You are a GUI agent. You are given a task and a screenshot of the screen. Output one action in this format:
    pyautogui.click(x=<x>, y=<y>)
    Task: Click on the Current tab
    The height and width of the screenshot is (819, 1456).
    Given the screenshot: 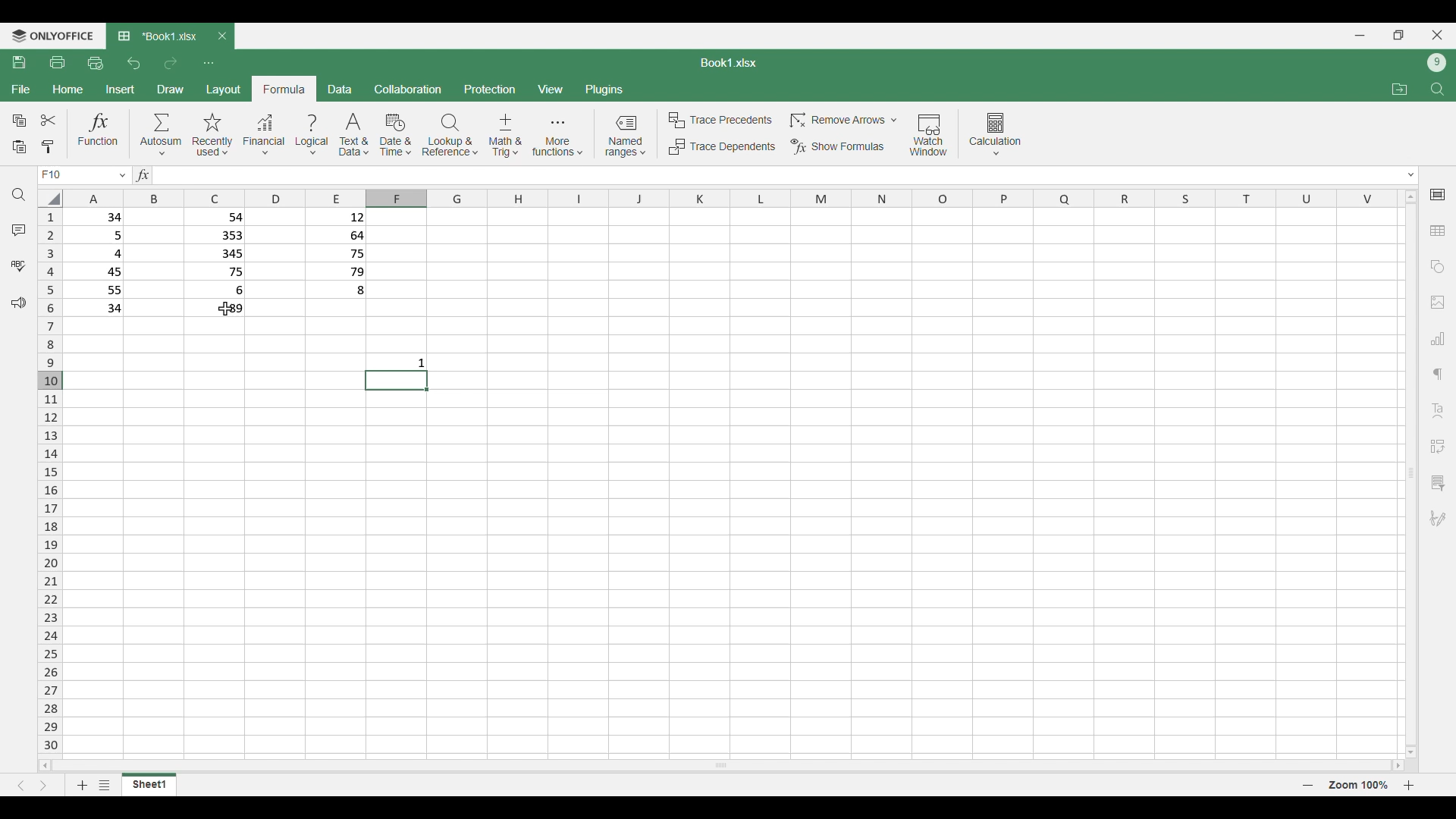 What is the action you would take?
    pyautogui.click(x=157, y=37)
    